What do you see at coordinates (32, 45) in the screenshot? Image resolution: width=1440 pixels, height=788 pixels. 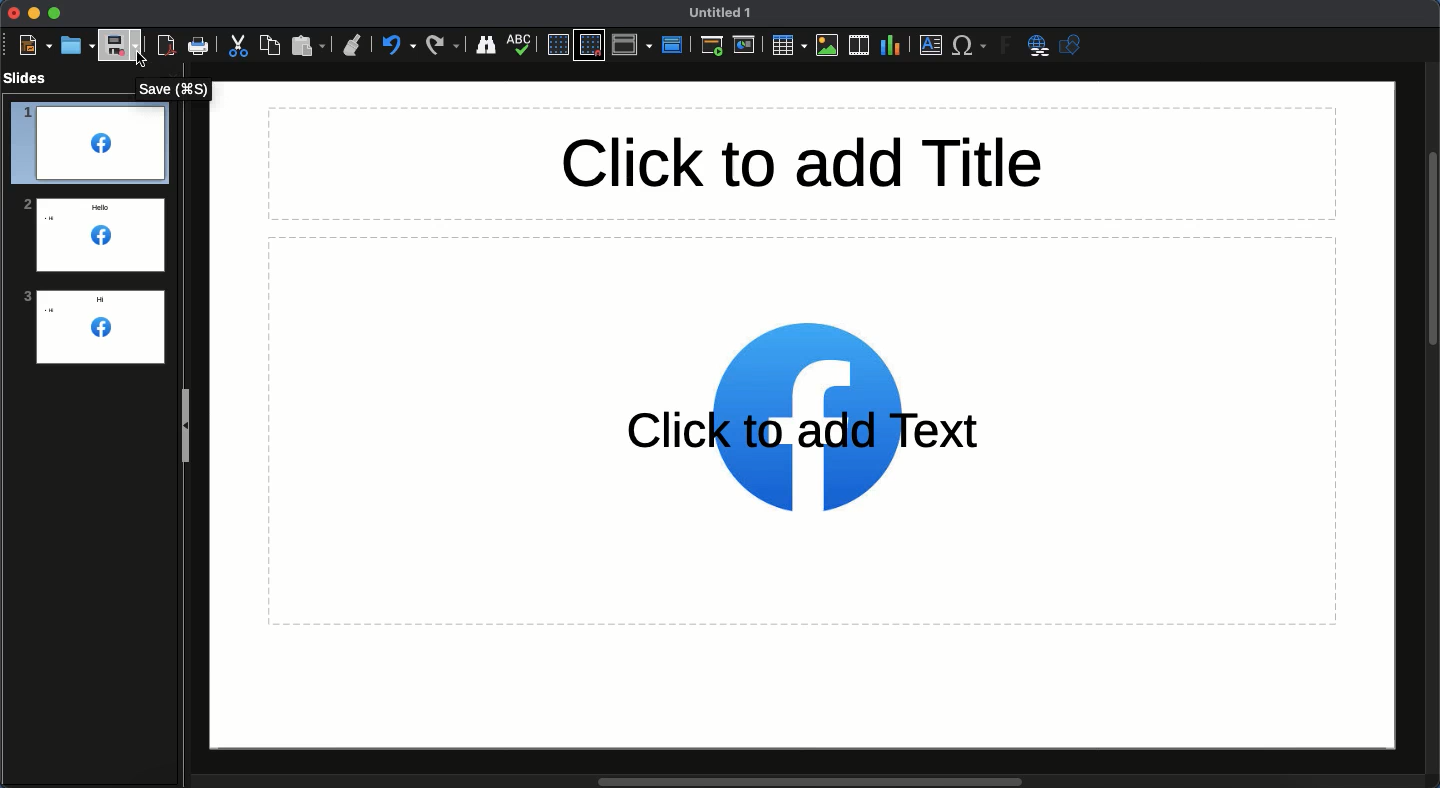 I see `New` at bounding box center [32, 45].